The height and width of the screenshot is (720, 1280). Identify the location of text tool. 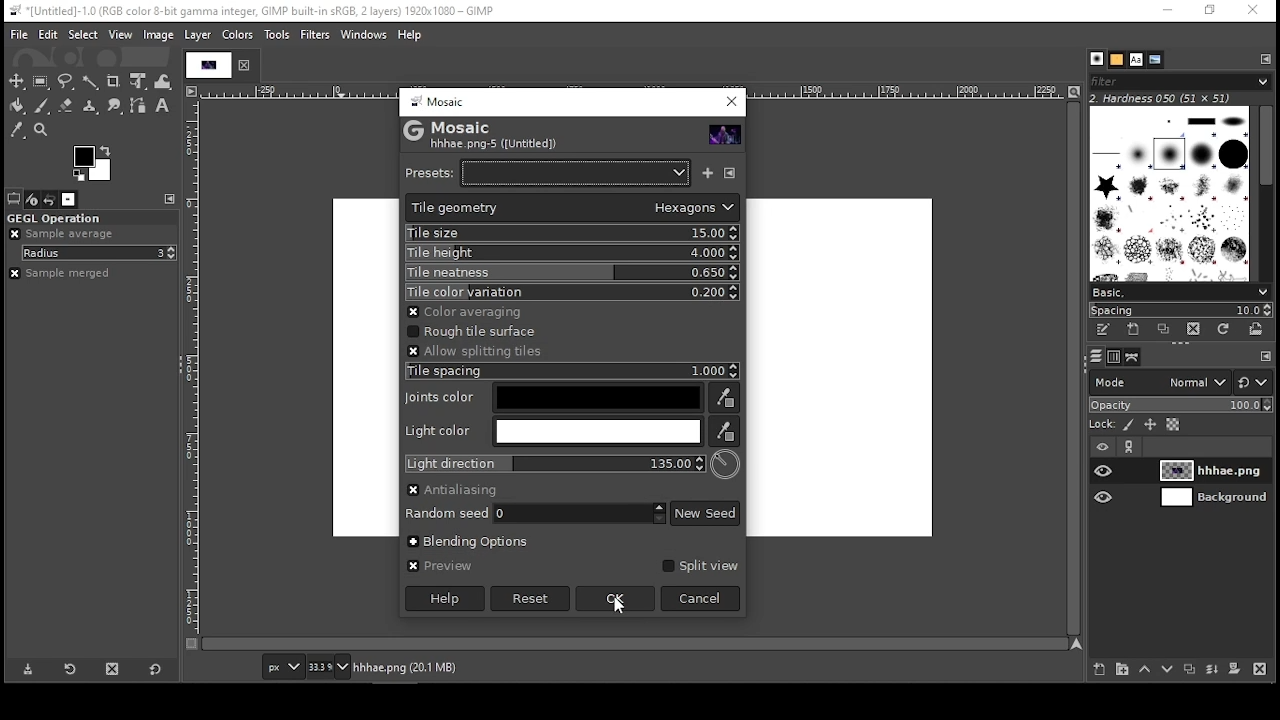
(164, 109).